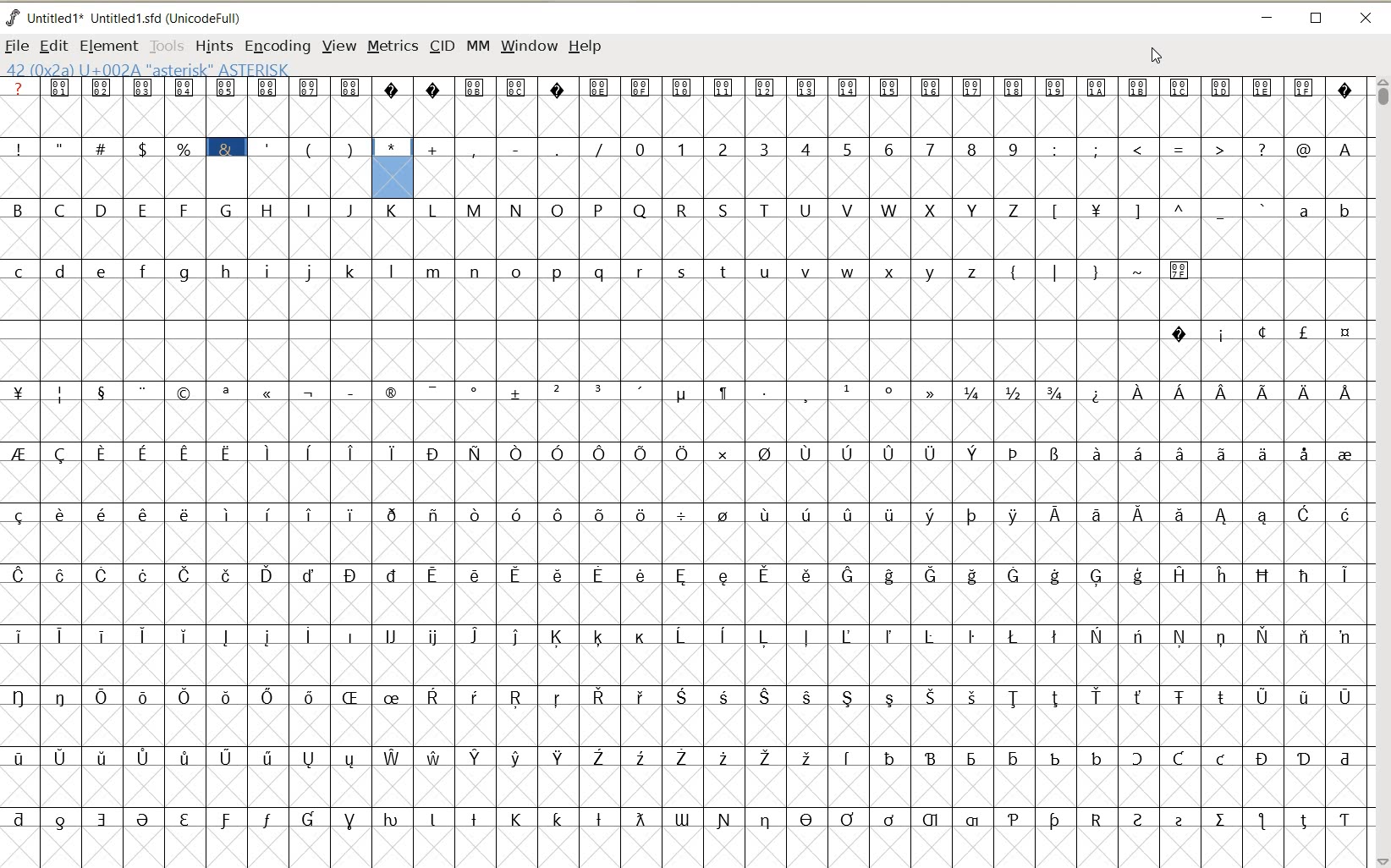 The height and width of the screenshot is (868, 1391). I want to click on WINDOW, so click(528, 47).